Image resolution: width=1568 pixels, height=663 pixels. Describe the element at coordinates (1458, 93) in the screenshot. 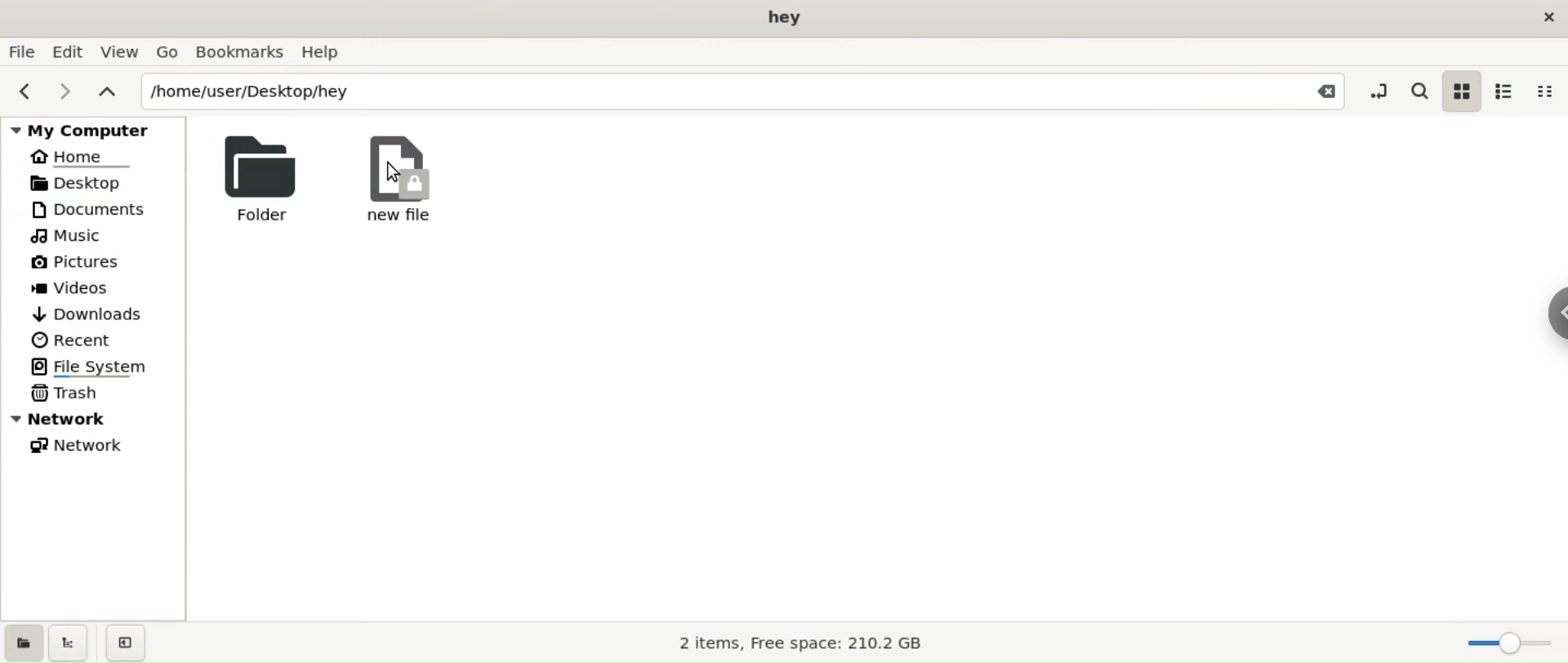

I see `icon view` at that location.